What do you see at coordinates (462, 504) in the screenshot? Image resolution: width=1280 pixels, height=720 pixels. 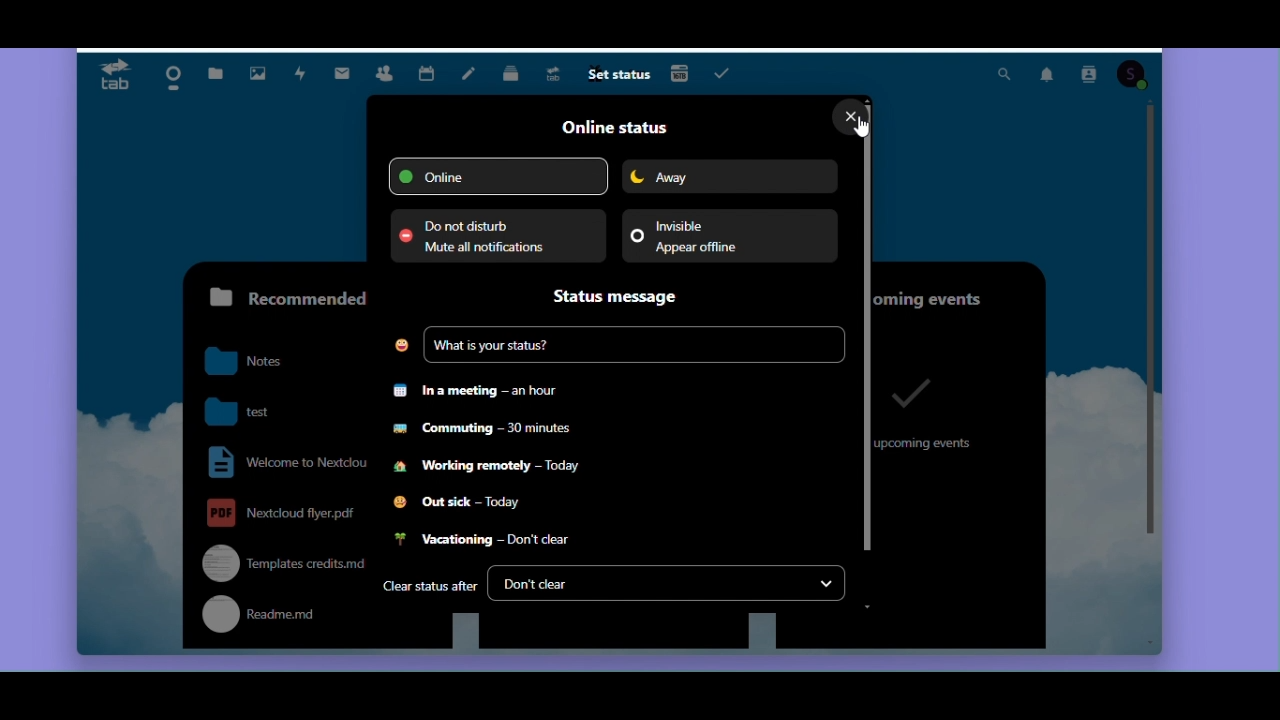 I see `Out sick today` at bounding box center [462, 504].